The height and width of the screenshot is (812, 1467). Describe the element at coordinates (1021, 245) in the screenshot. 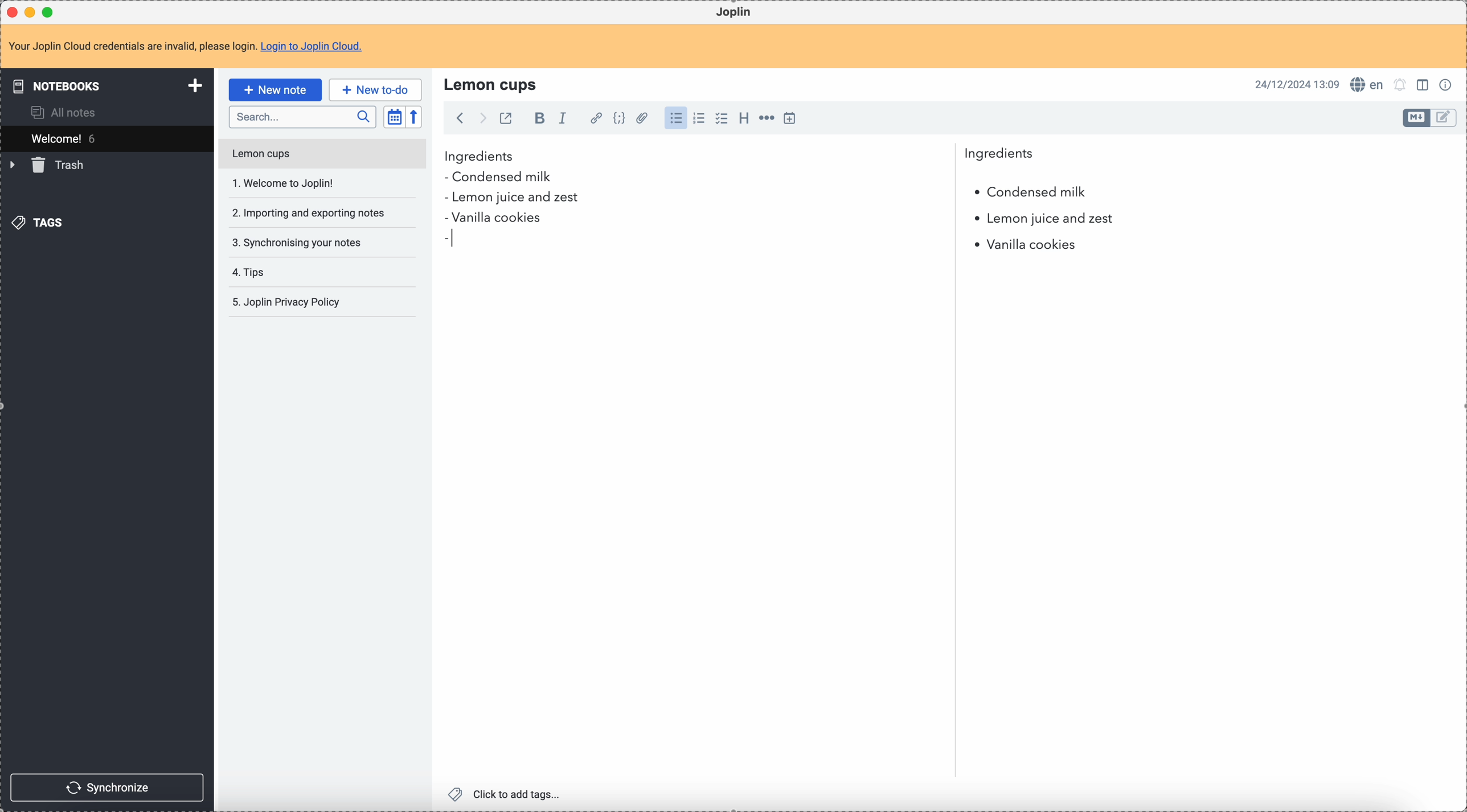

I see `vanilla cookies` at that location.